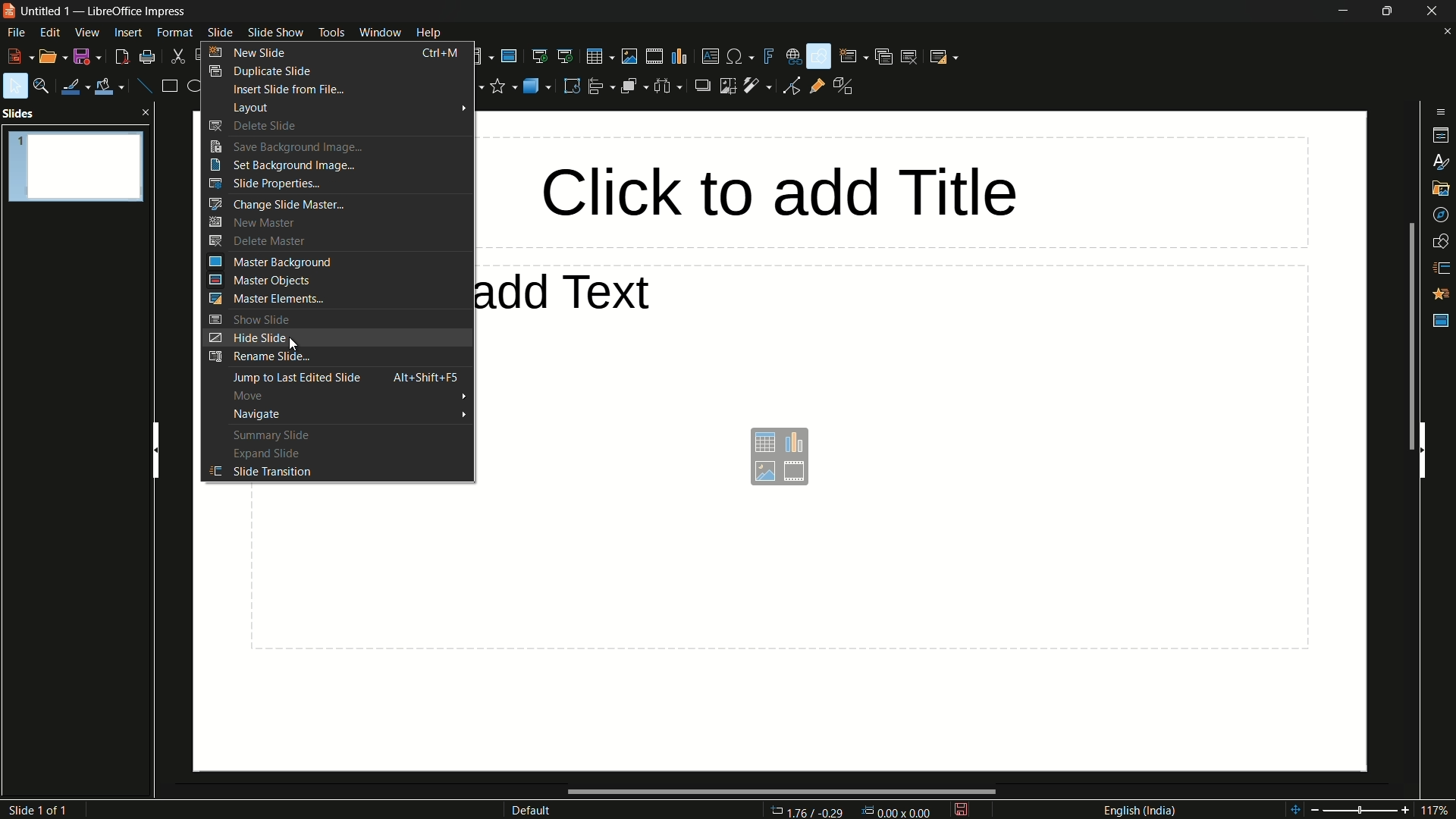 Image resolution: width=1456 pixels, height=819 pixels. I want to click on toggle point edit mode, so click(791, 88).